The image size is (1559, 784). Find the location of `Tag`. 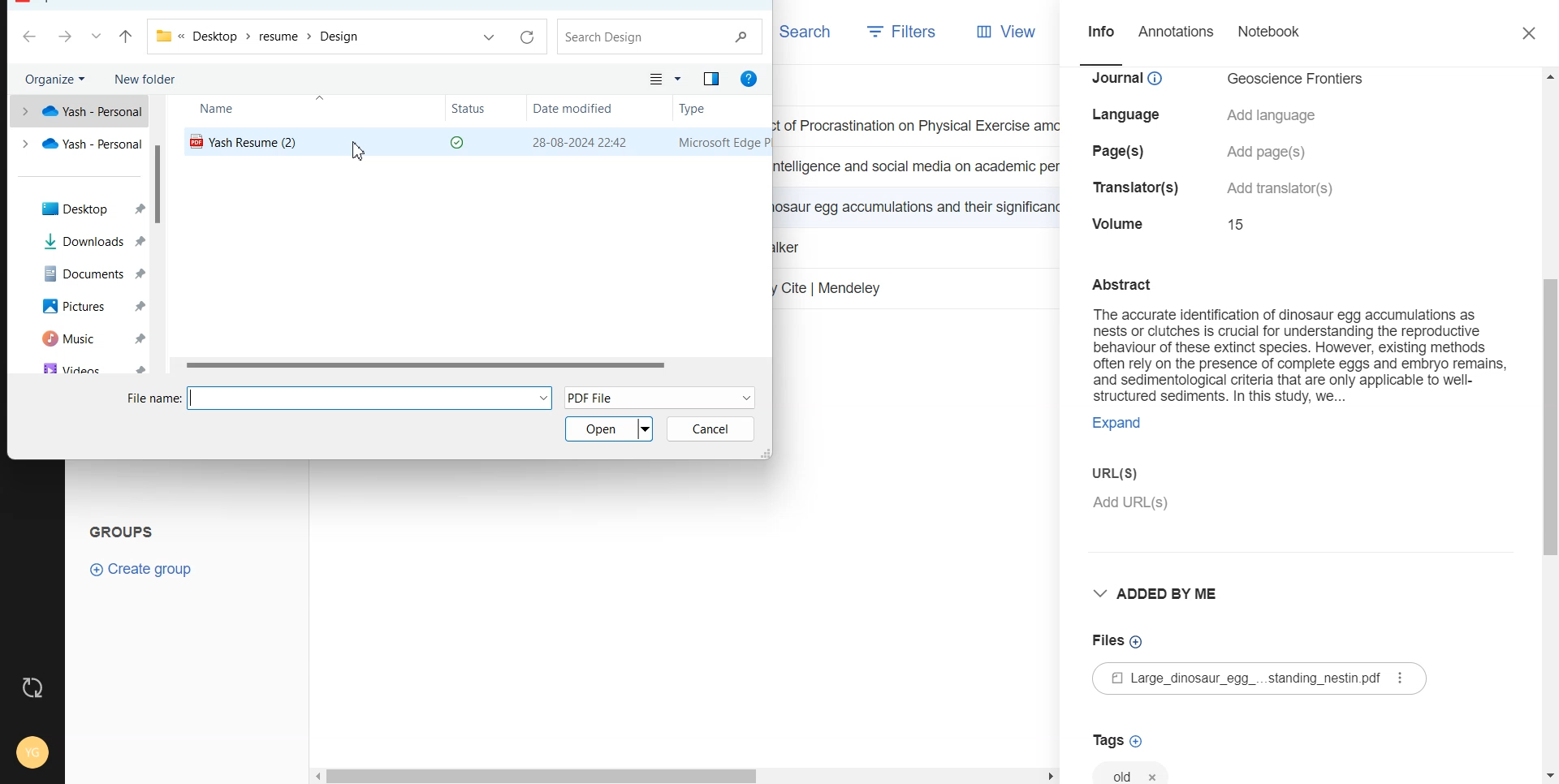

Tag is located at coordinates (1132, 770).